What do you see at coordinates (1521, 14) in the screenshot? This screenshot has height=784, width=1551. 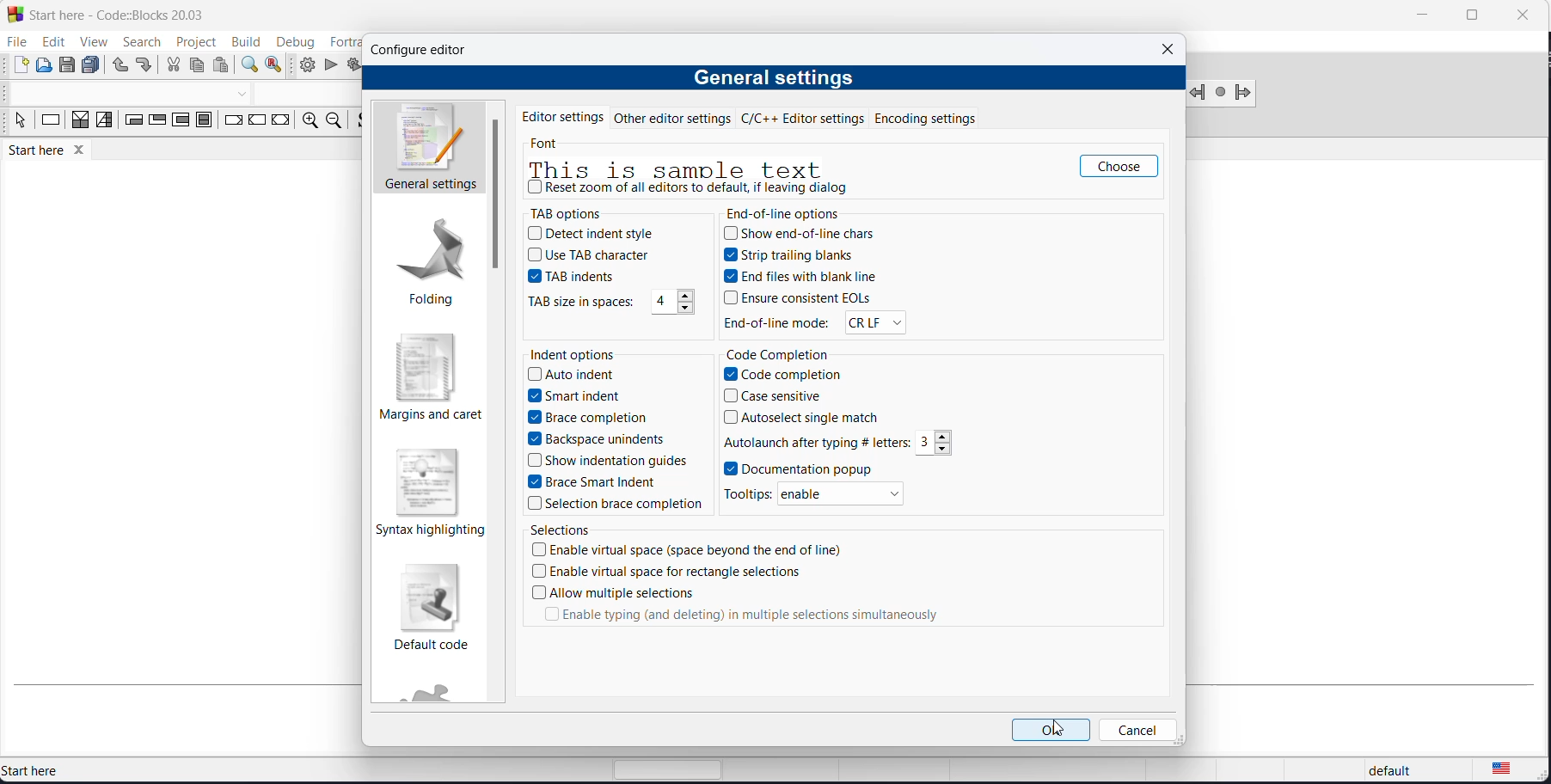 I see `close` at bounding box center [1521, 14].